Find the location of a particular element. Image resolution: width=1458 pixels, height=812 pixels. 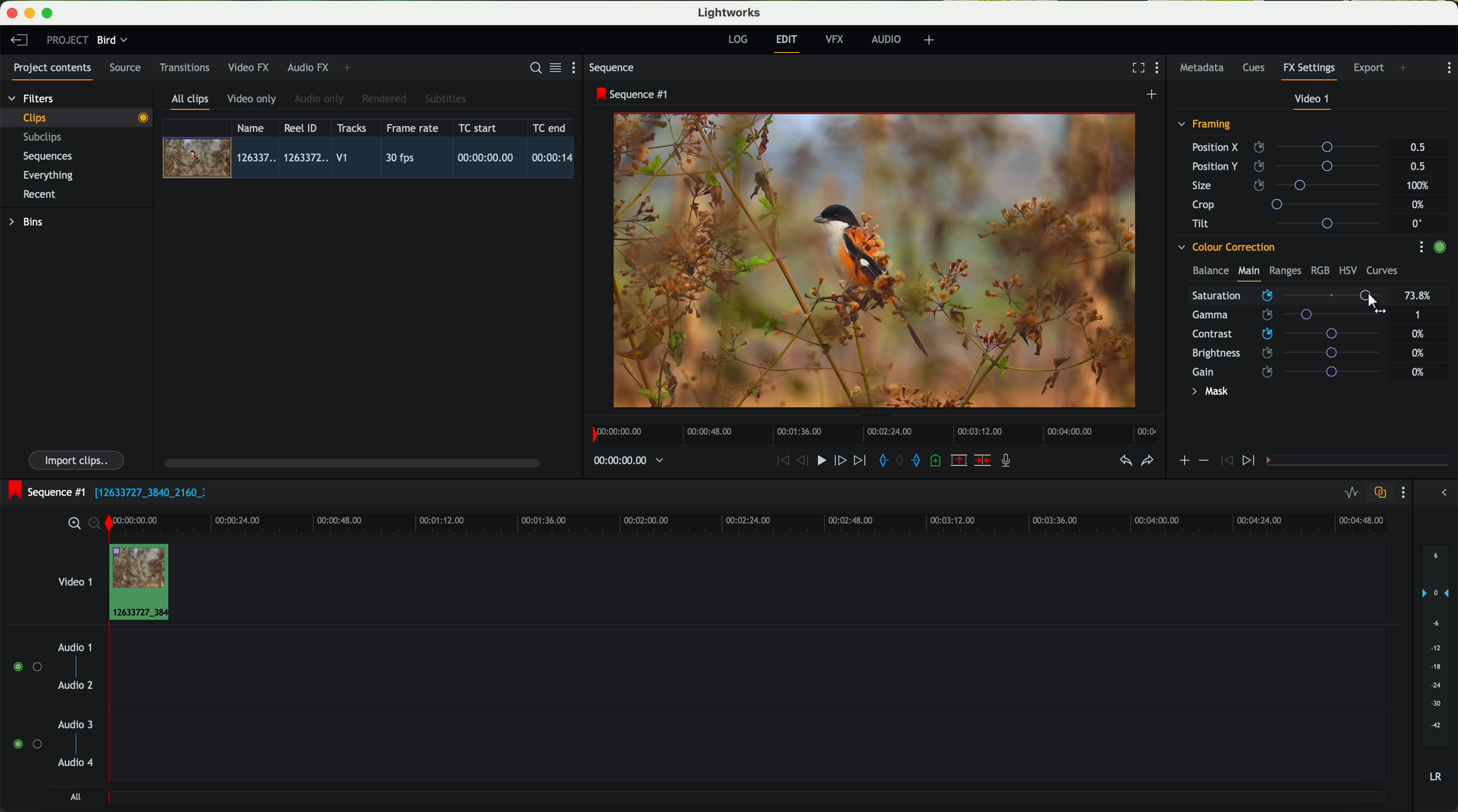

tilt is located at coordinates (1291, 223).